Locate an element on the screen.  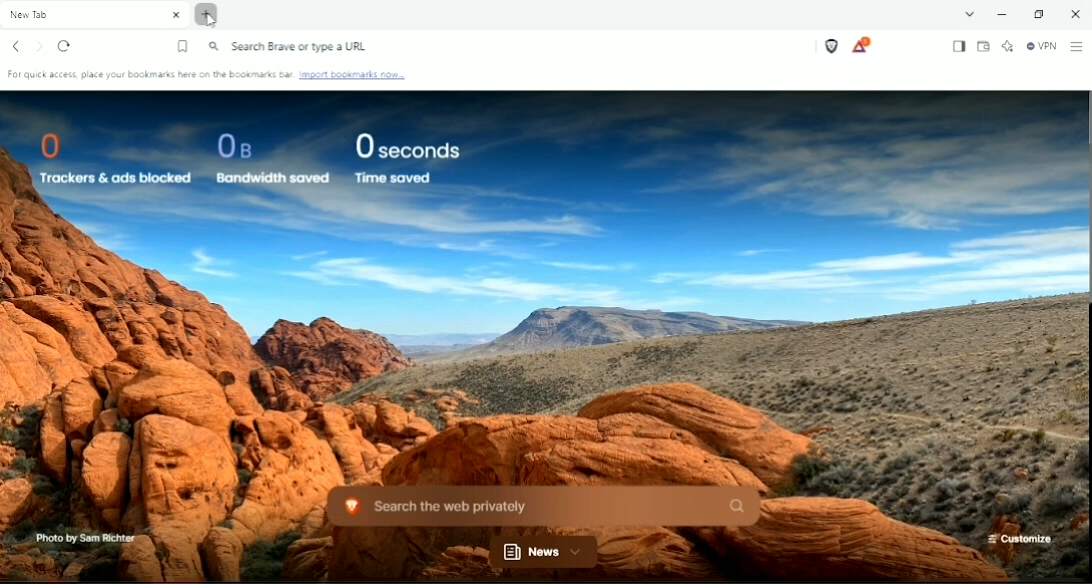
Search Tabs is located at coordinates (969, 13).